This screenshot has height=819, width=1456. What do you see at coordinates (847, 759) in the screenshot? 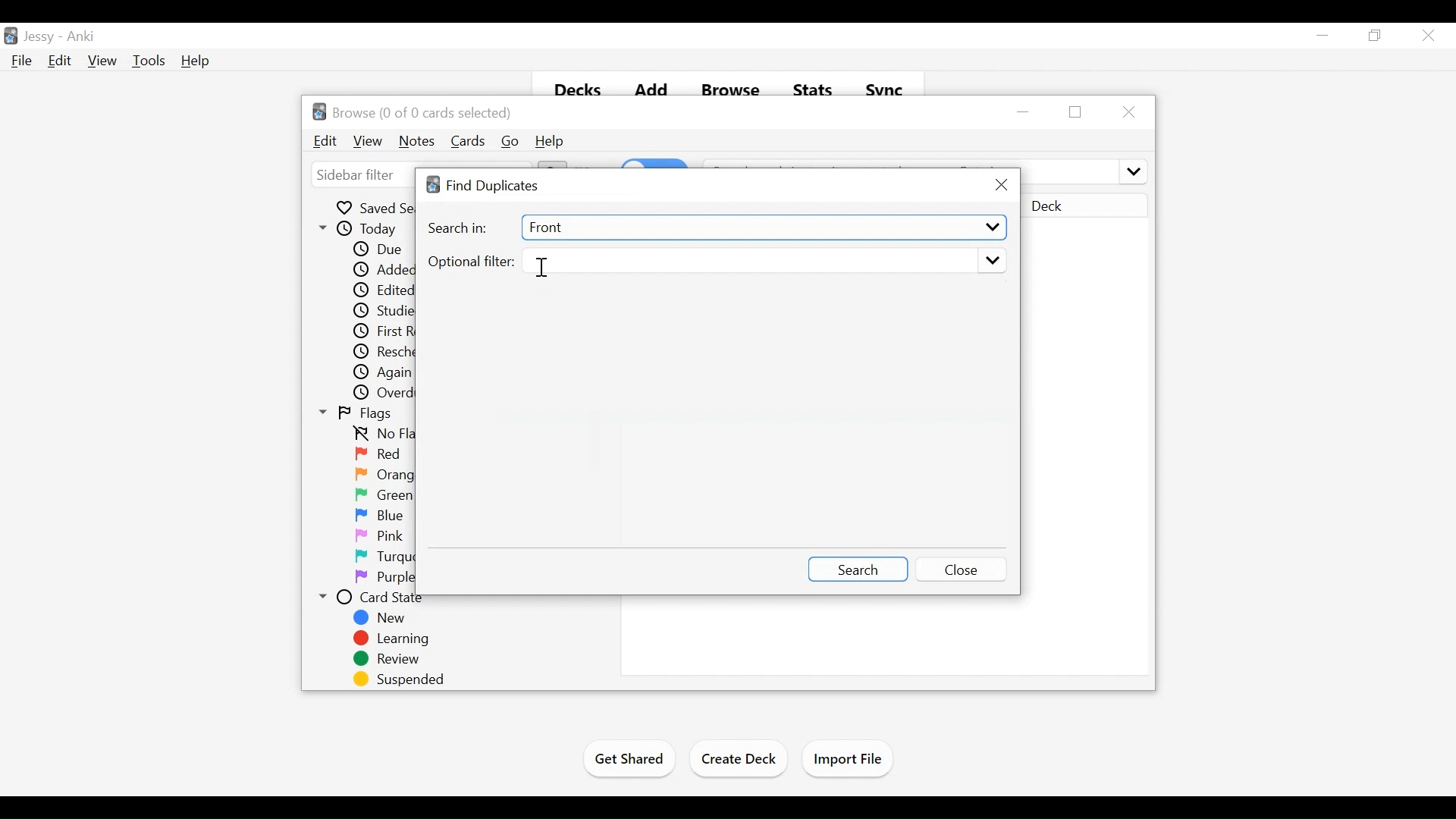
I see `Import Files` at bounding box center [847, 759].